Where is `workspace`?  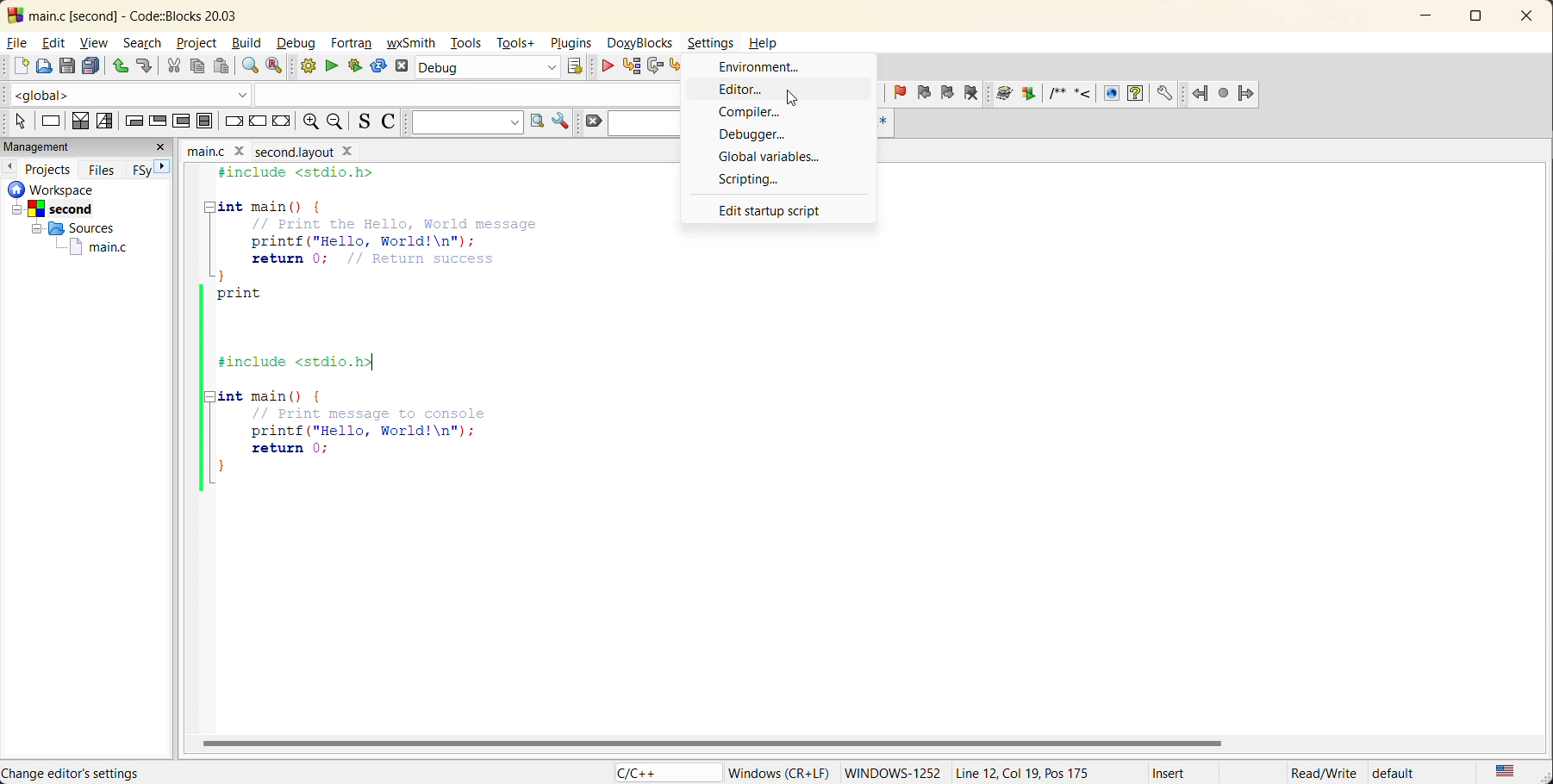 workspace is located at coordinates (47, 190).